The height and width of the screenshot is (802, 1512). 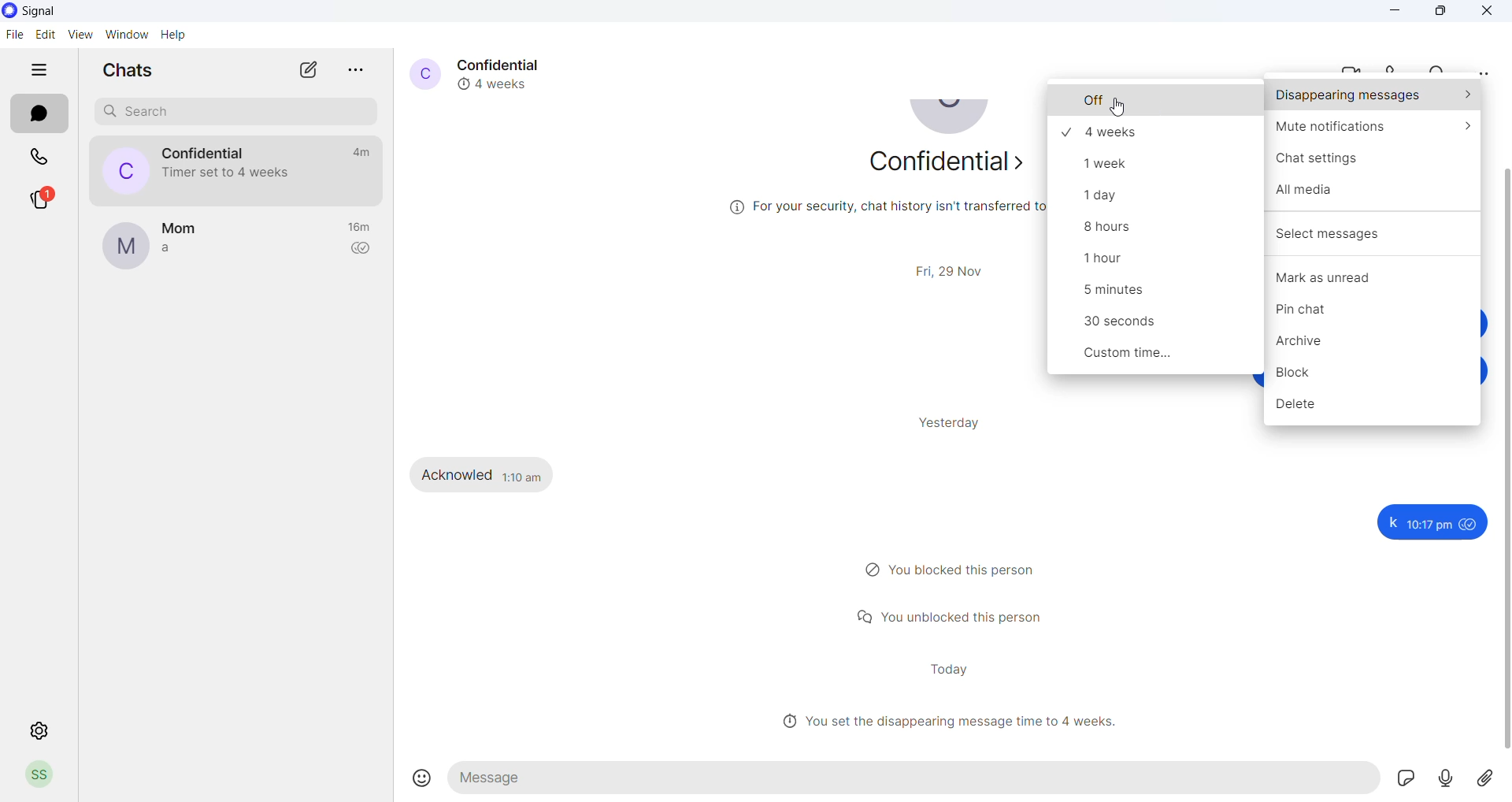 I want to click on close, so click(x=1488, y=12).